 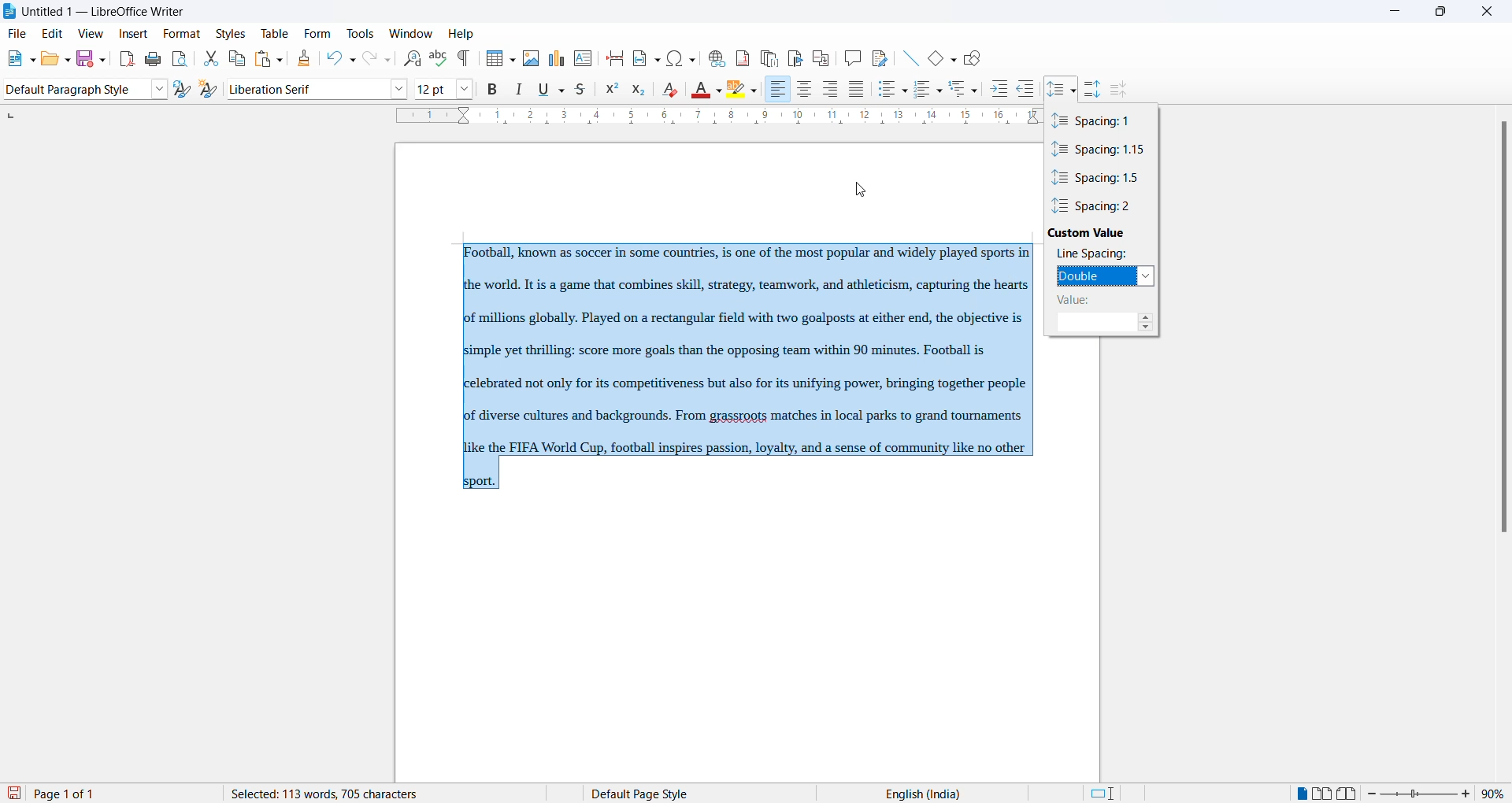 I want to click on view, so click(x=88, y=33).